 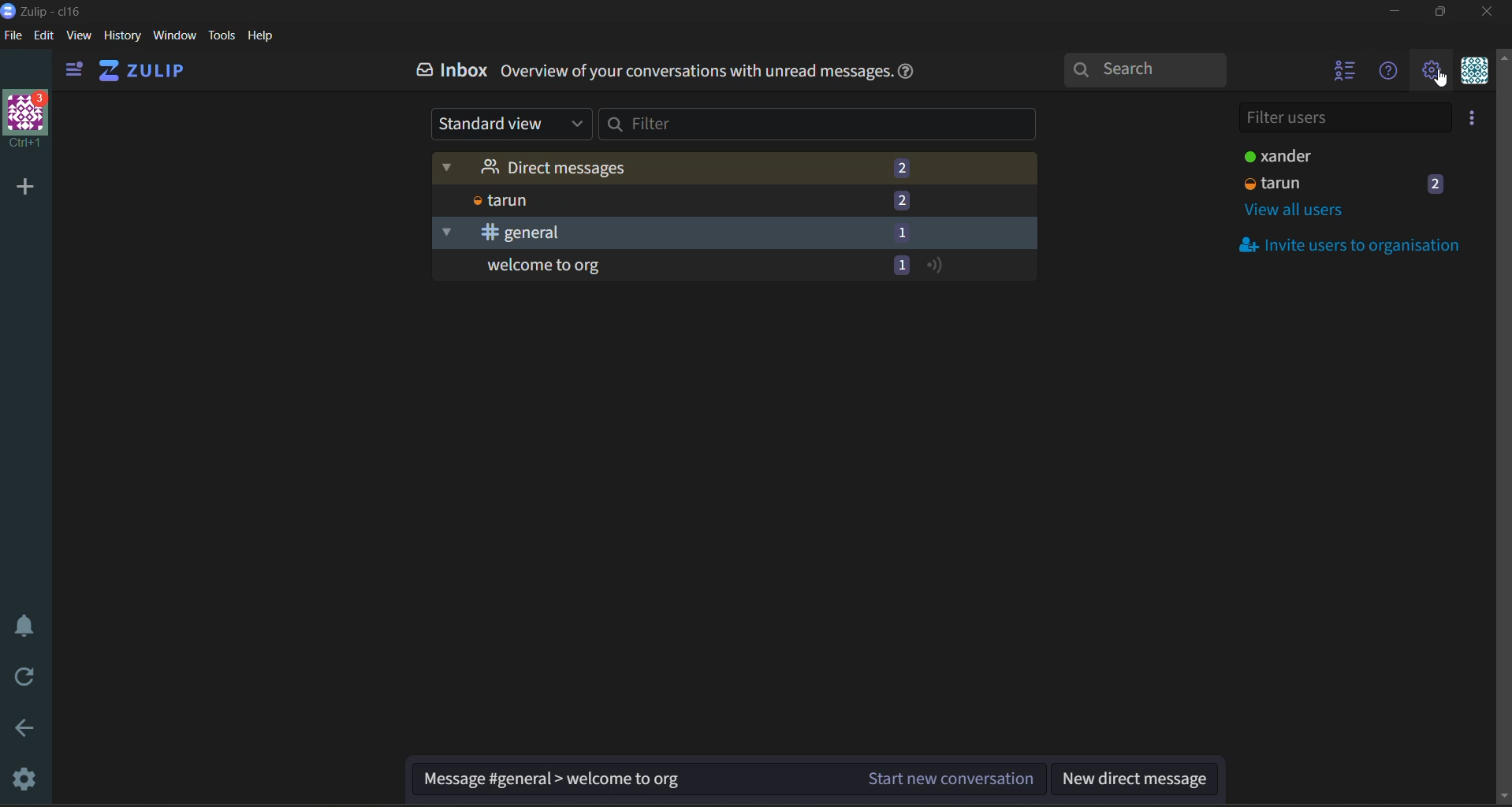 I want to click on invite users to organisation, so click(x=1354, y=244).